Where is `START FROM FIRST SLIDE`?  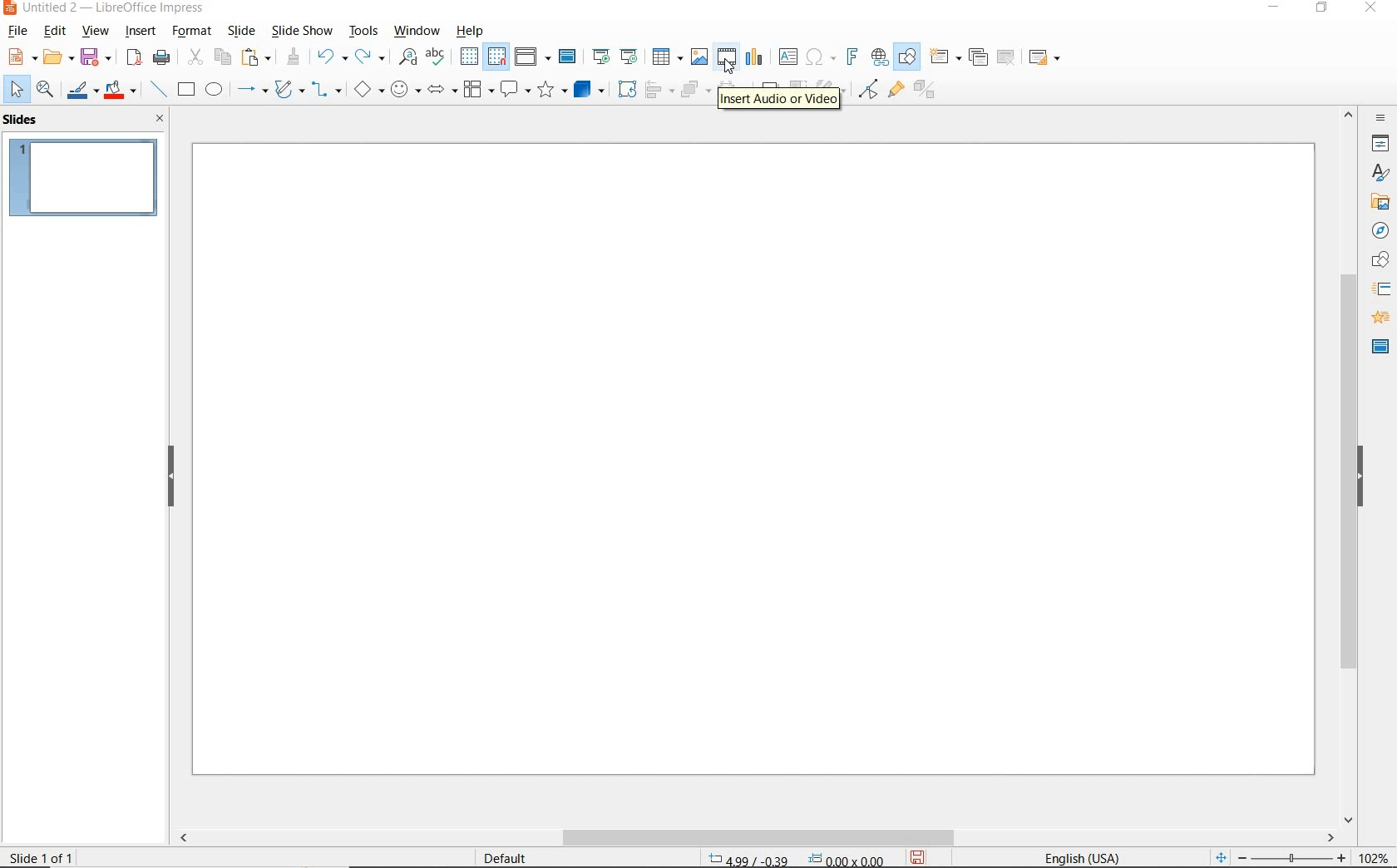 START FROM FIRST SLIDE is located at coordinates (601, 57).